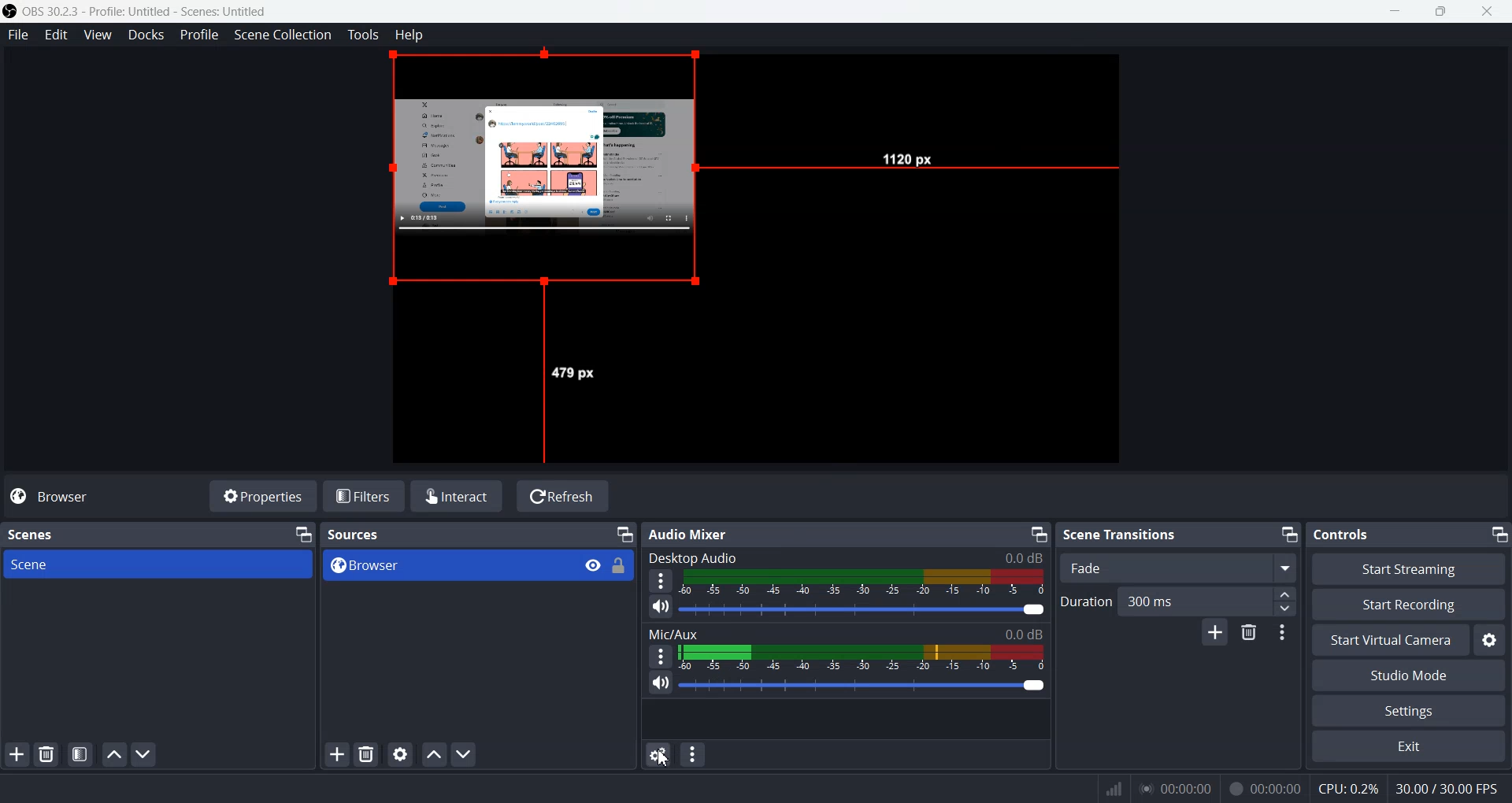 Image resolution: width=1512 pixels, height=803 pixels. Describe the element at coordinates (409, 34) in the screenshot. I see `Help` at that location.